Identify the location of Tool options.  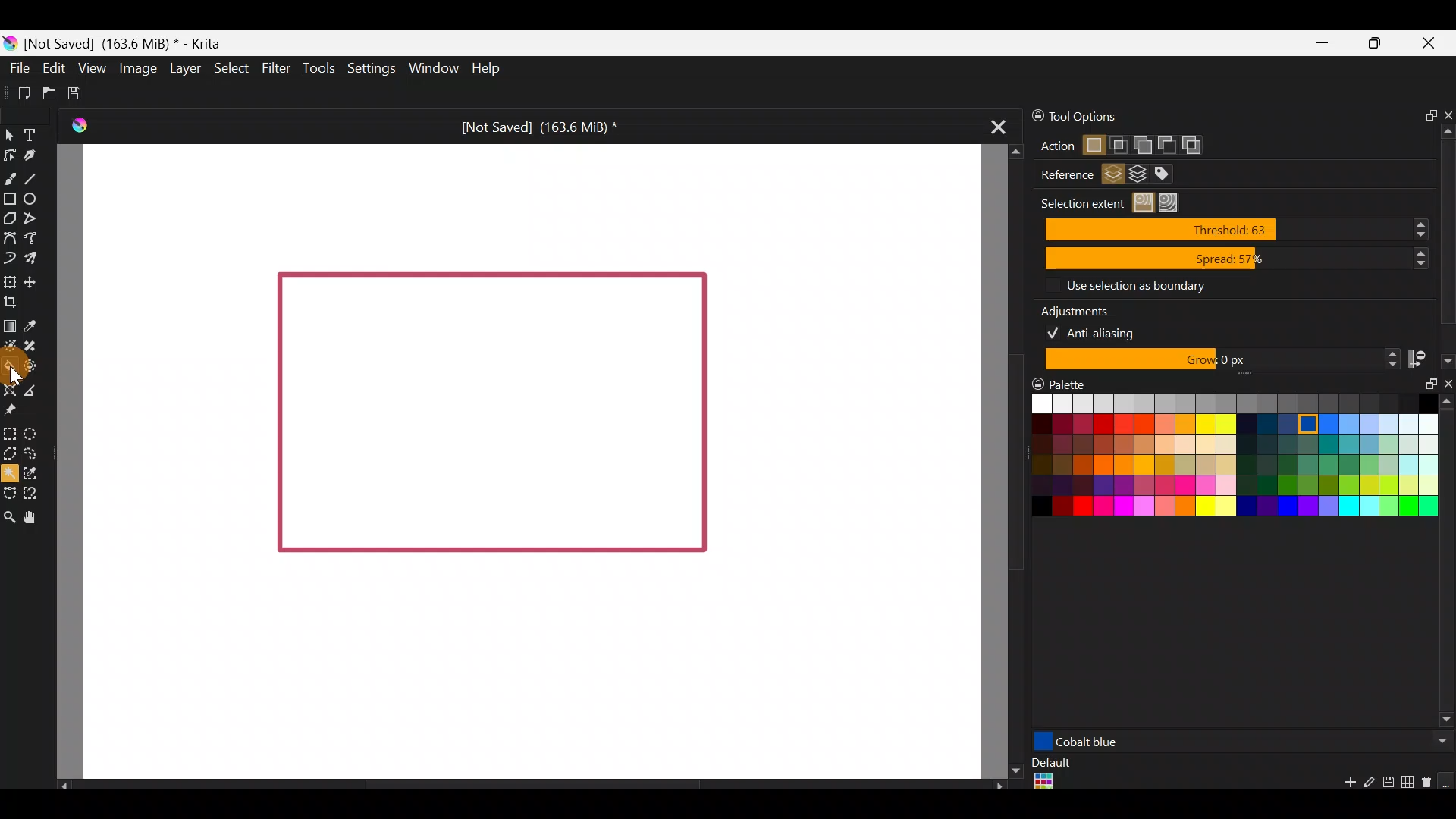
(1113, 115).